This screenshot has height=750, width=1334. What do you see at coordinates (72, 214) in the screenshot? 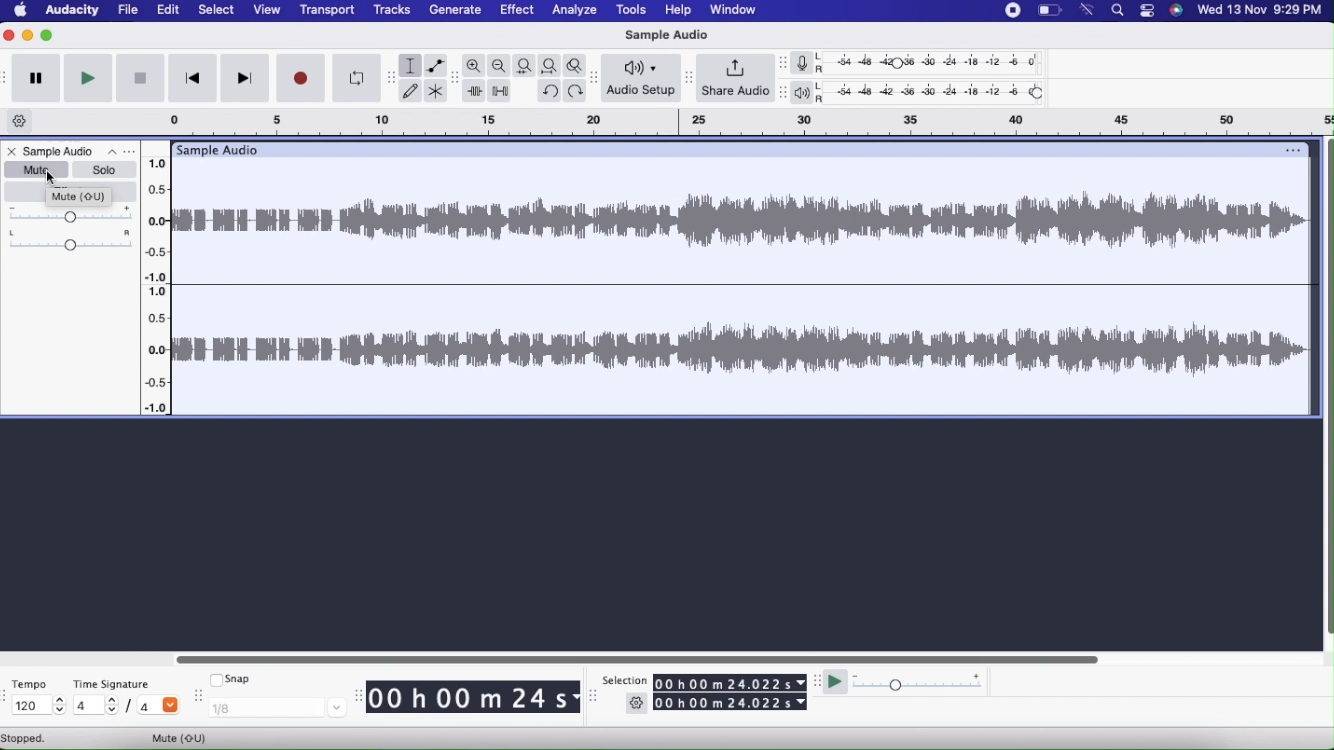
I see `Gain slider` at bounding box center [72, 214].